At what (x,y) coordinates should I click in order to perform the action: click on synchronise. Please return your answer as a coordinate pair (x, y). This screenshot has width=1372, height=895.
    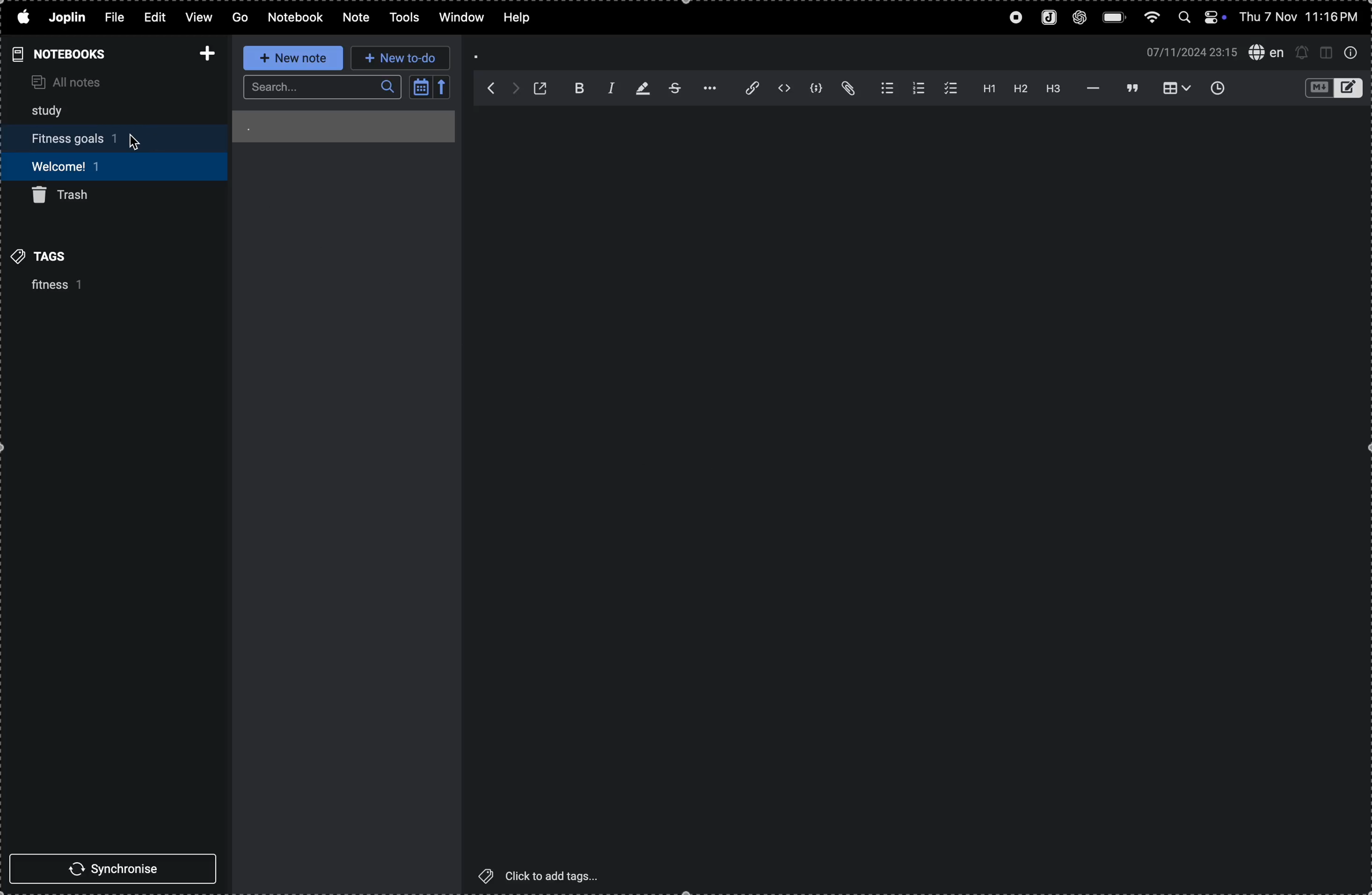
    Looking at the image, I should click on (111, 868).